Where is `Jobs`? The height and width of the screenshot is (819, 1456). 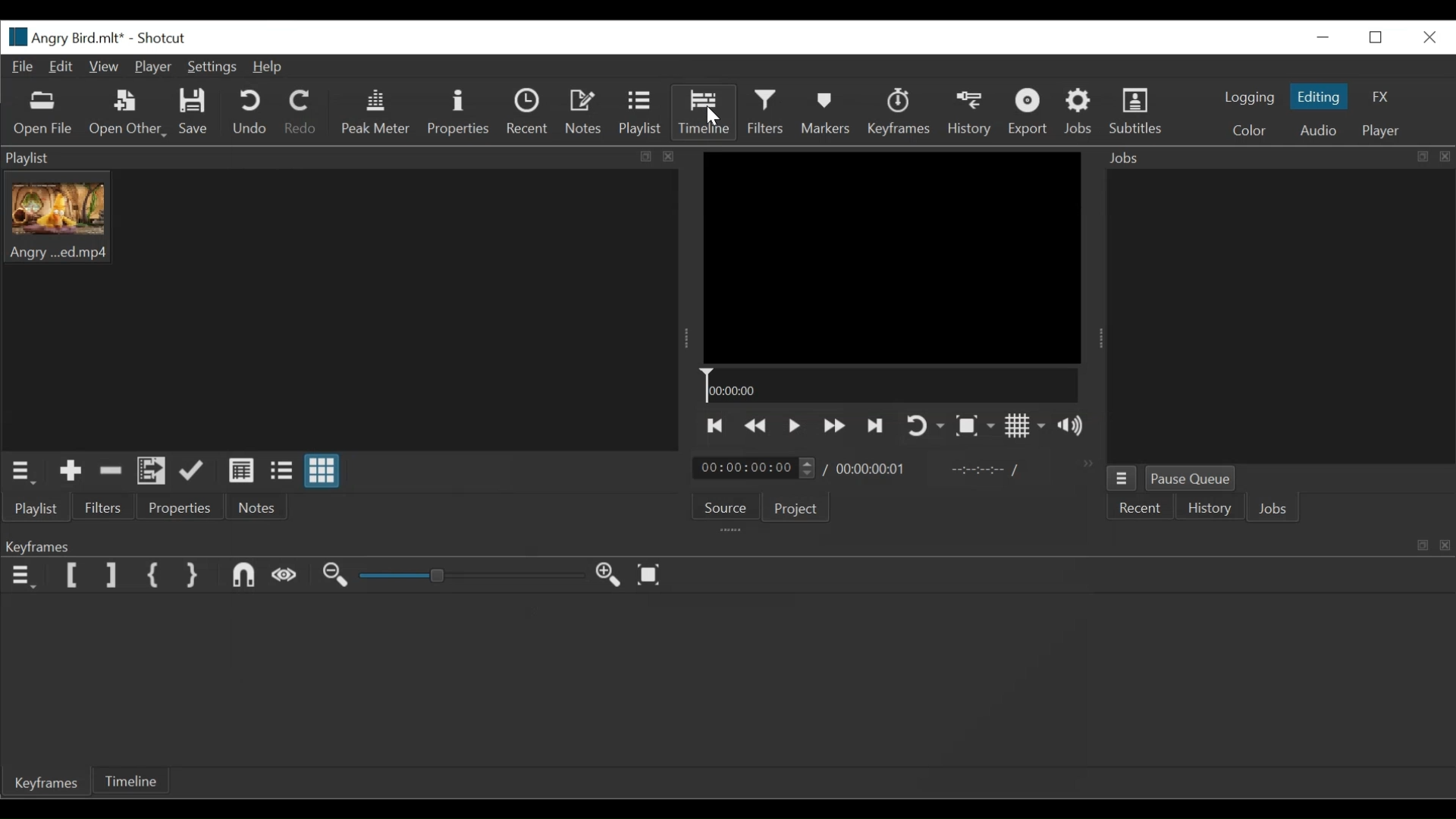 Jobs is located at coordinates (1272, 508).